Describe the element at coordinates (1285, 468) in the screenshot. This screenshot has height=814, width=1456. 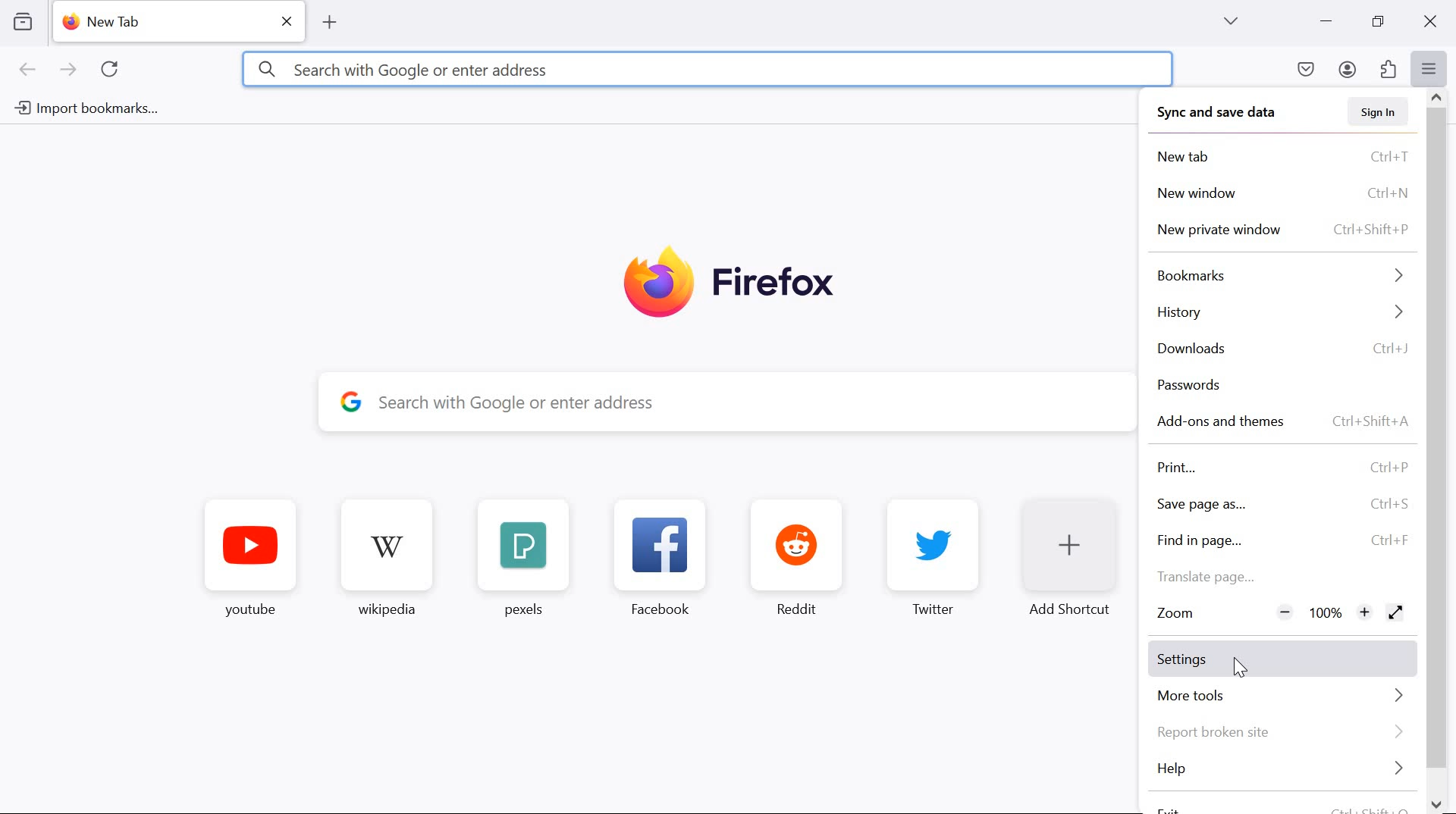
I see `print` at that location.